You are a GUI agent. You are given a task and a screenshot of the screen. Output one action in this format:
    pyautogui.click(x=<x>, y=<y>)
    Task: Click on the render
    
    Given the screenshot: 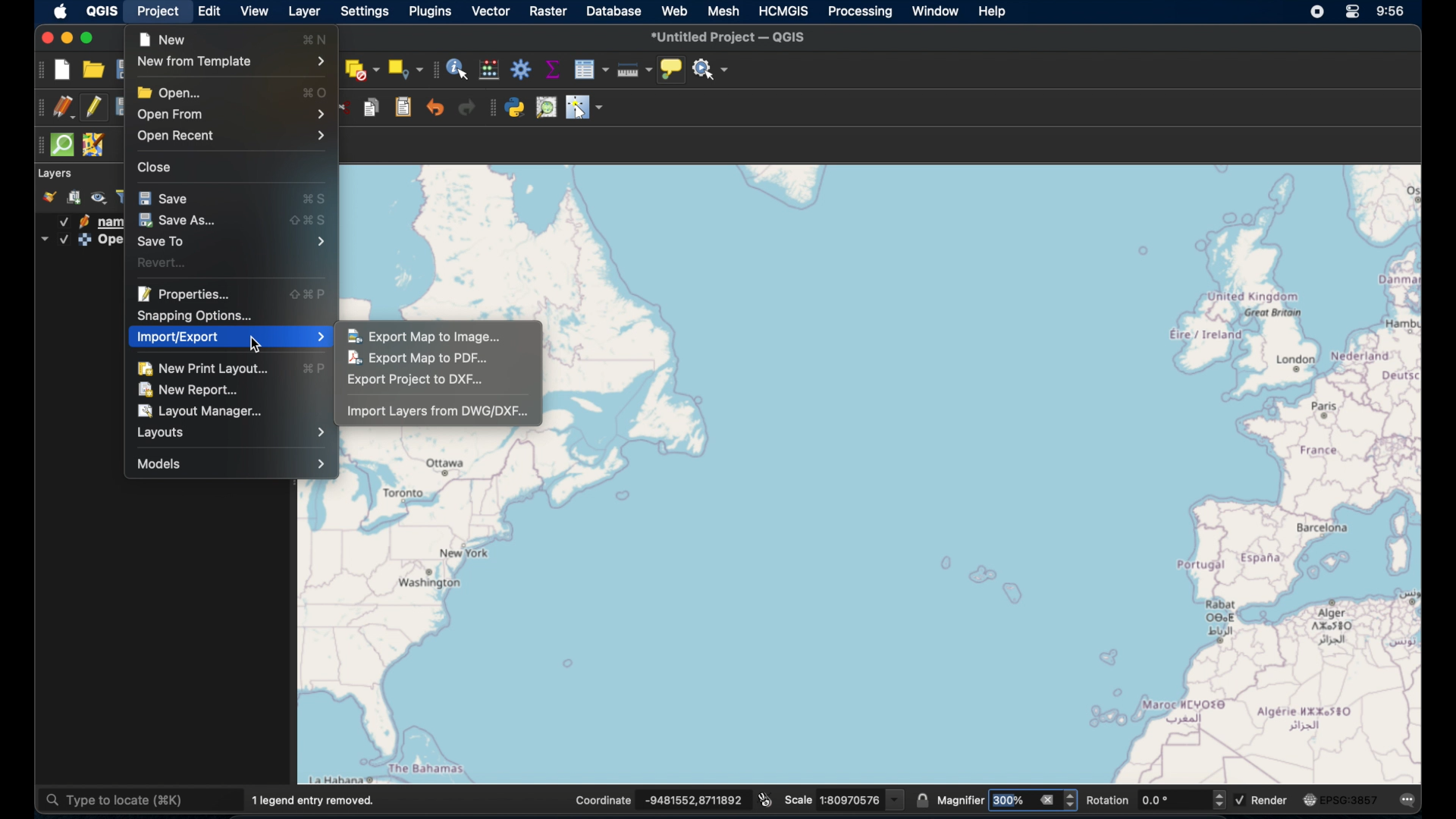 What is the action you would take?
    pyautogui.click(x=1263, y=799)
    